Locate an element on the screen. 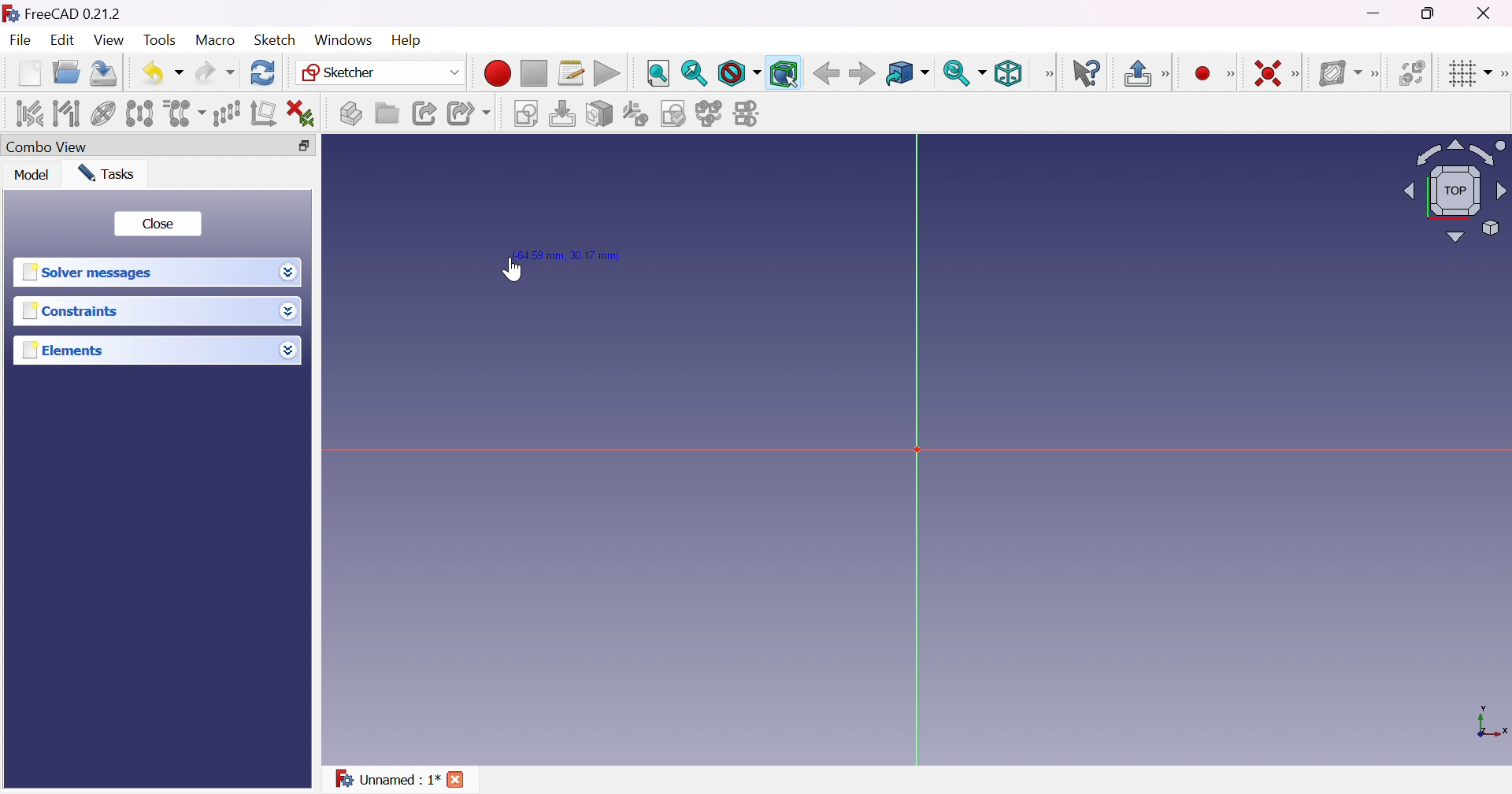 Image resolution: width=1512 pixels, height=794 pixels. What's this? is located at coordinates (1084, 74).